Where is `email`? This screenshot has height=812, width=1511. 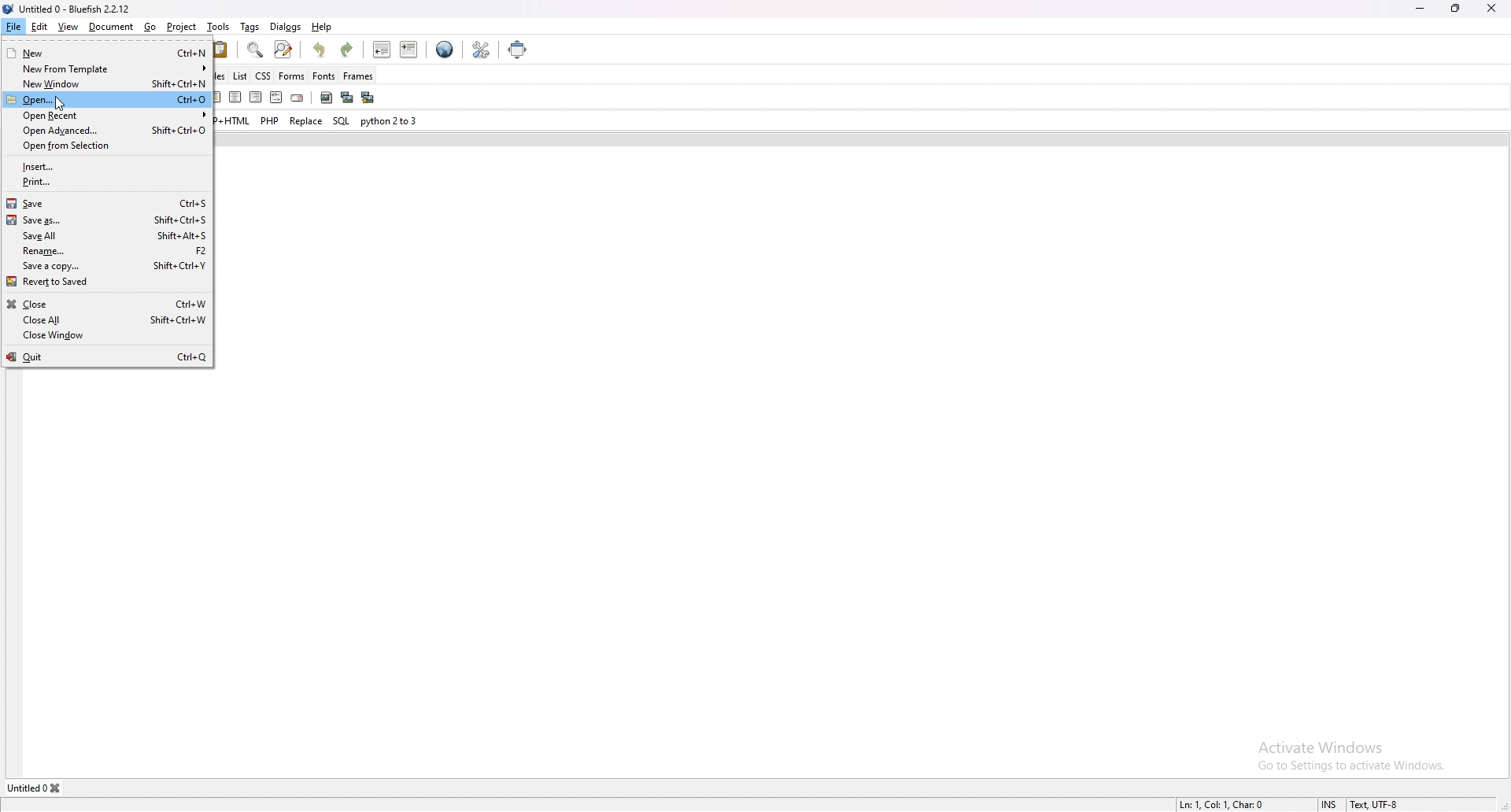 email is located at coordinates (298, 98).